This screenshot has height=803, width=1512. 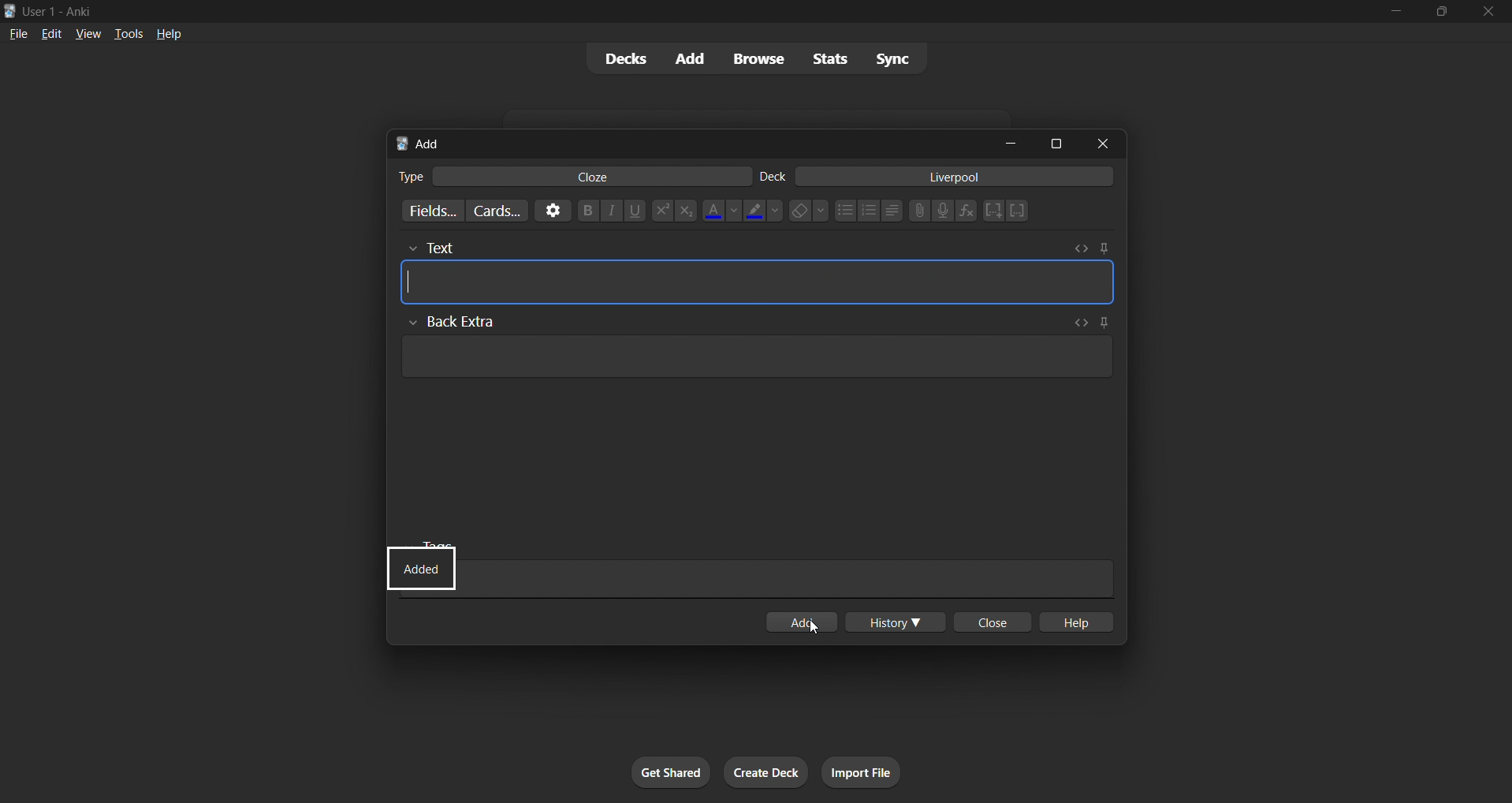 What do you see at coordinates (727, 213) in the screenshot?
I see `text color` at bounding box center [727, 213].